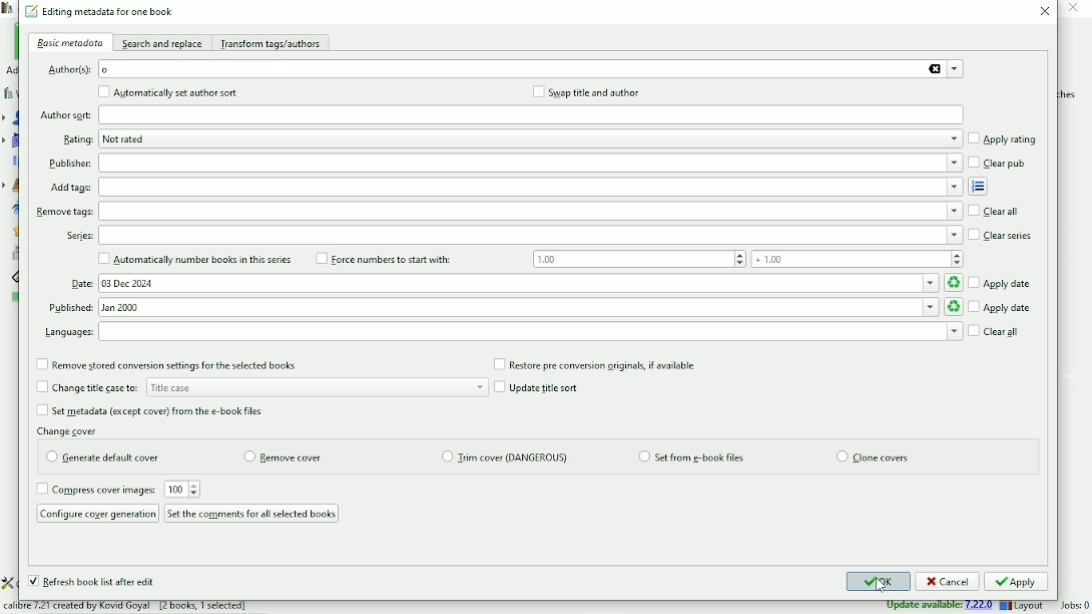 This screenshot has height=614, width=1092. Describe the element at coordinates (178, 490) in the screenshot. I see `compress image input box` at that location.